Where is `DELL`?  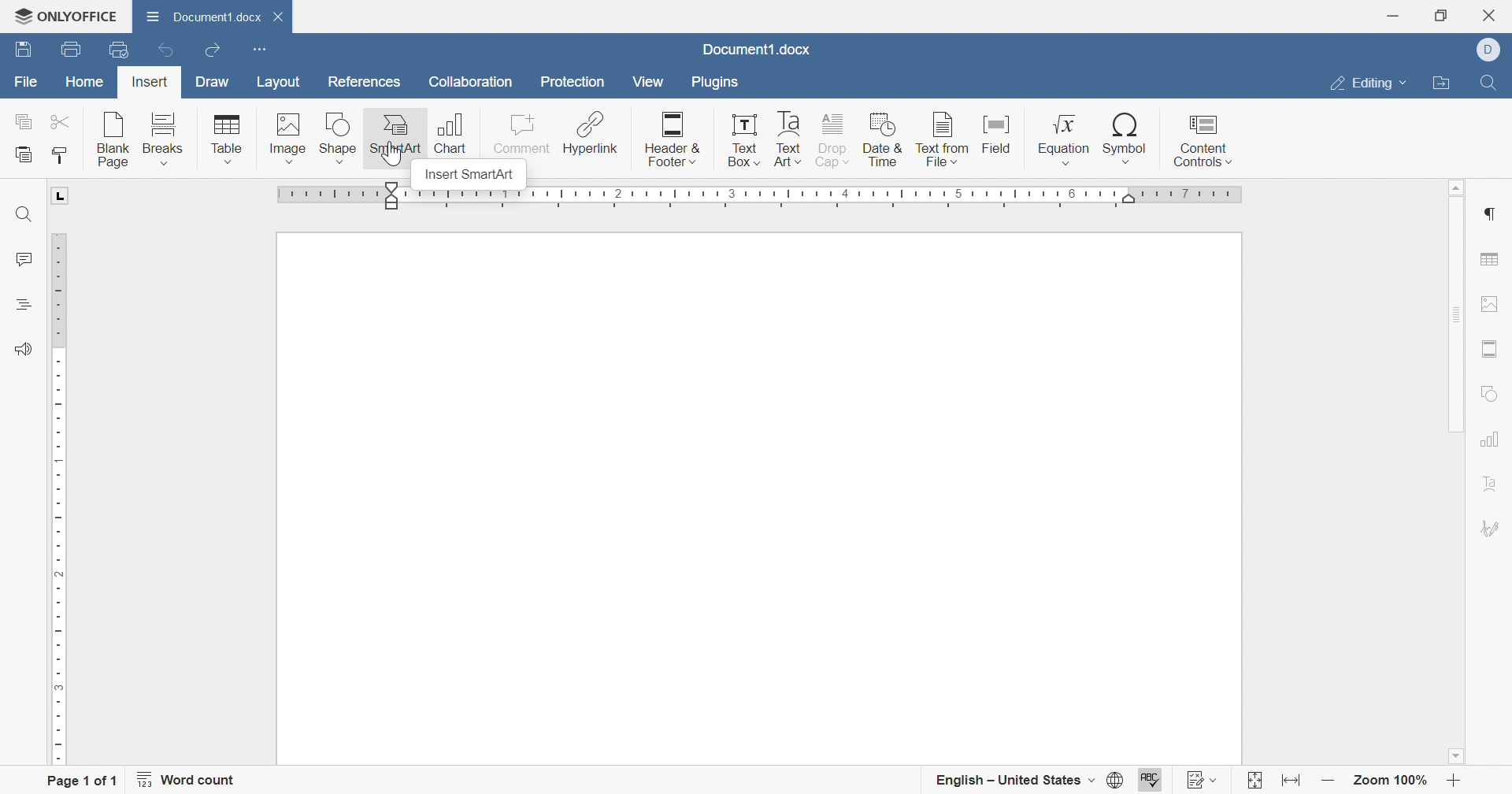 DELL is located at coordinates (1489, 50).